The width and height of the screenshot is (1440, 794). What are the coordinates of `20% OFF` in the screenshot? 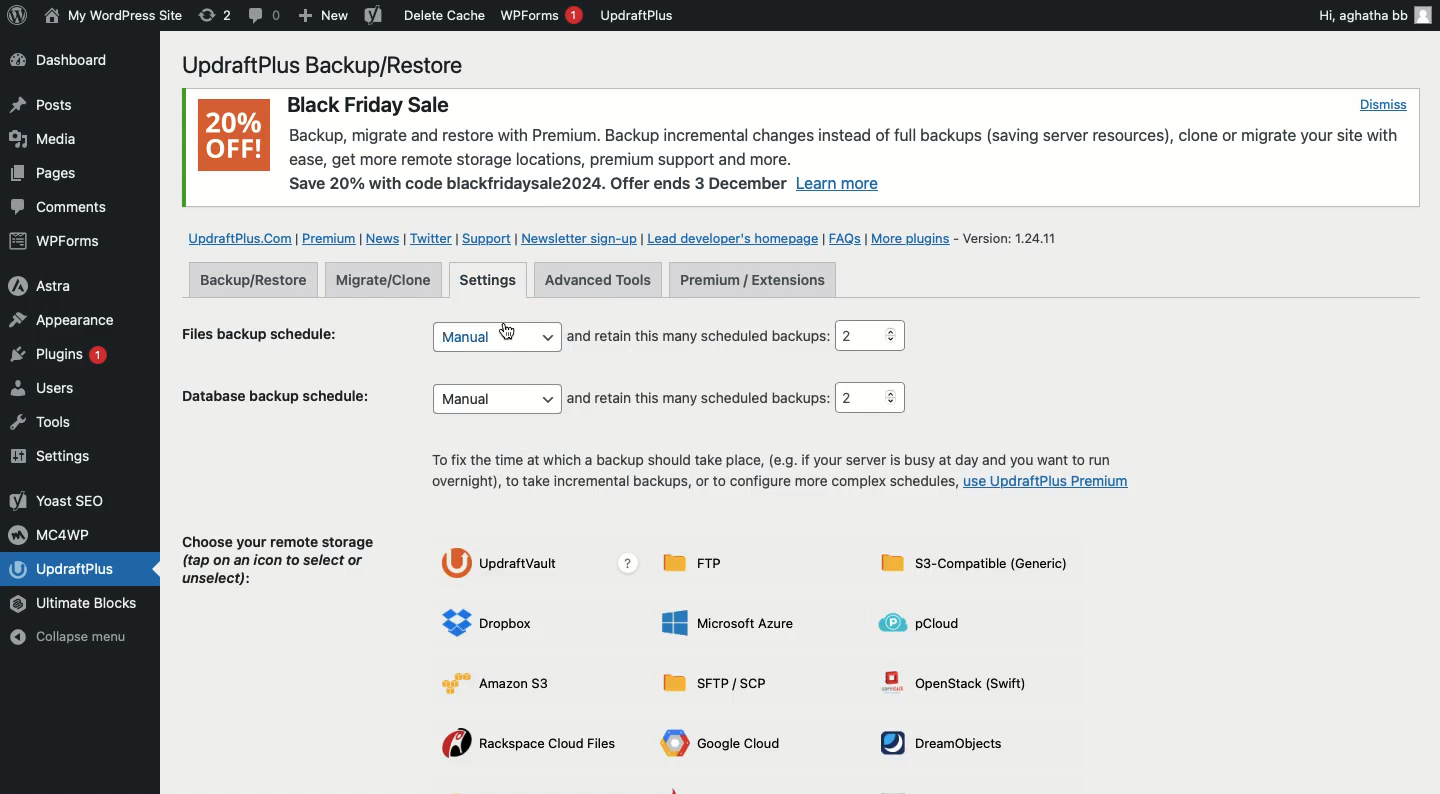 It's located at (233, 139).